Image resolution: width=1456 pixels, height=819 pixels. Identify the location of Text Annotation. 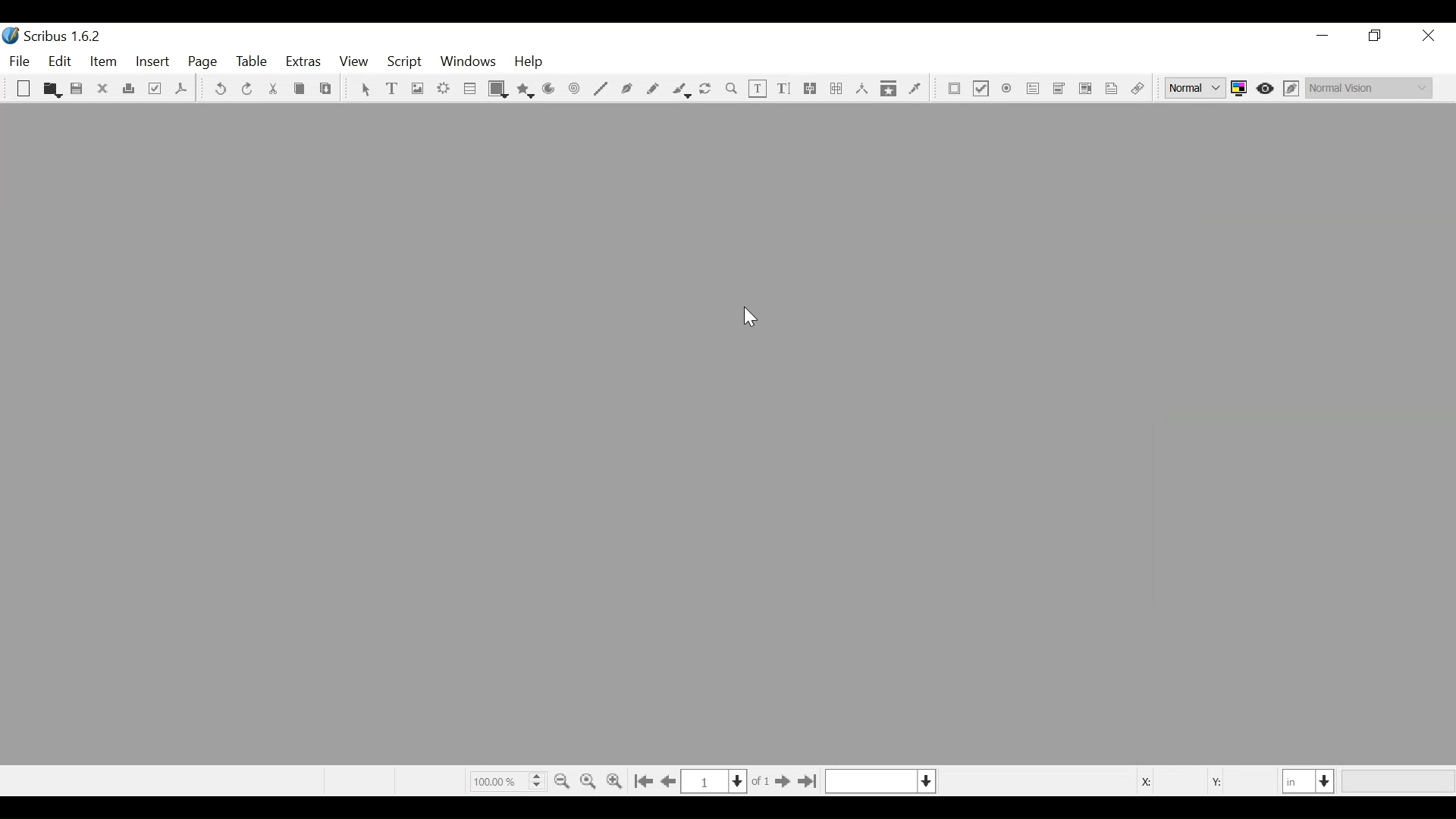
(1109, 89).